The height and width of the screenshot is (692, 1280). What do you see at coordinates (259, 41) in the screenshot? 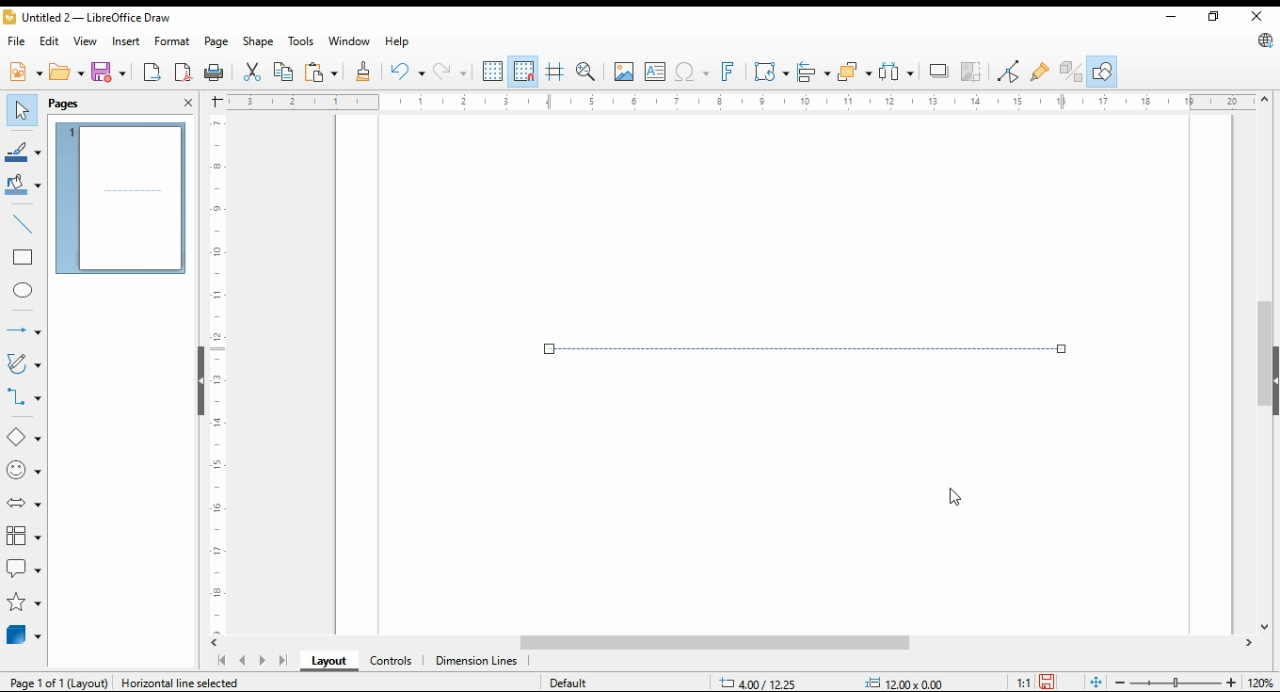
I see `shape` at bounding box center [259, 41].